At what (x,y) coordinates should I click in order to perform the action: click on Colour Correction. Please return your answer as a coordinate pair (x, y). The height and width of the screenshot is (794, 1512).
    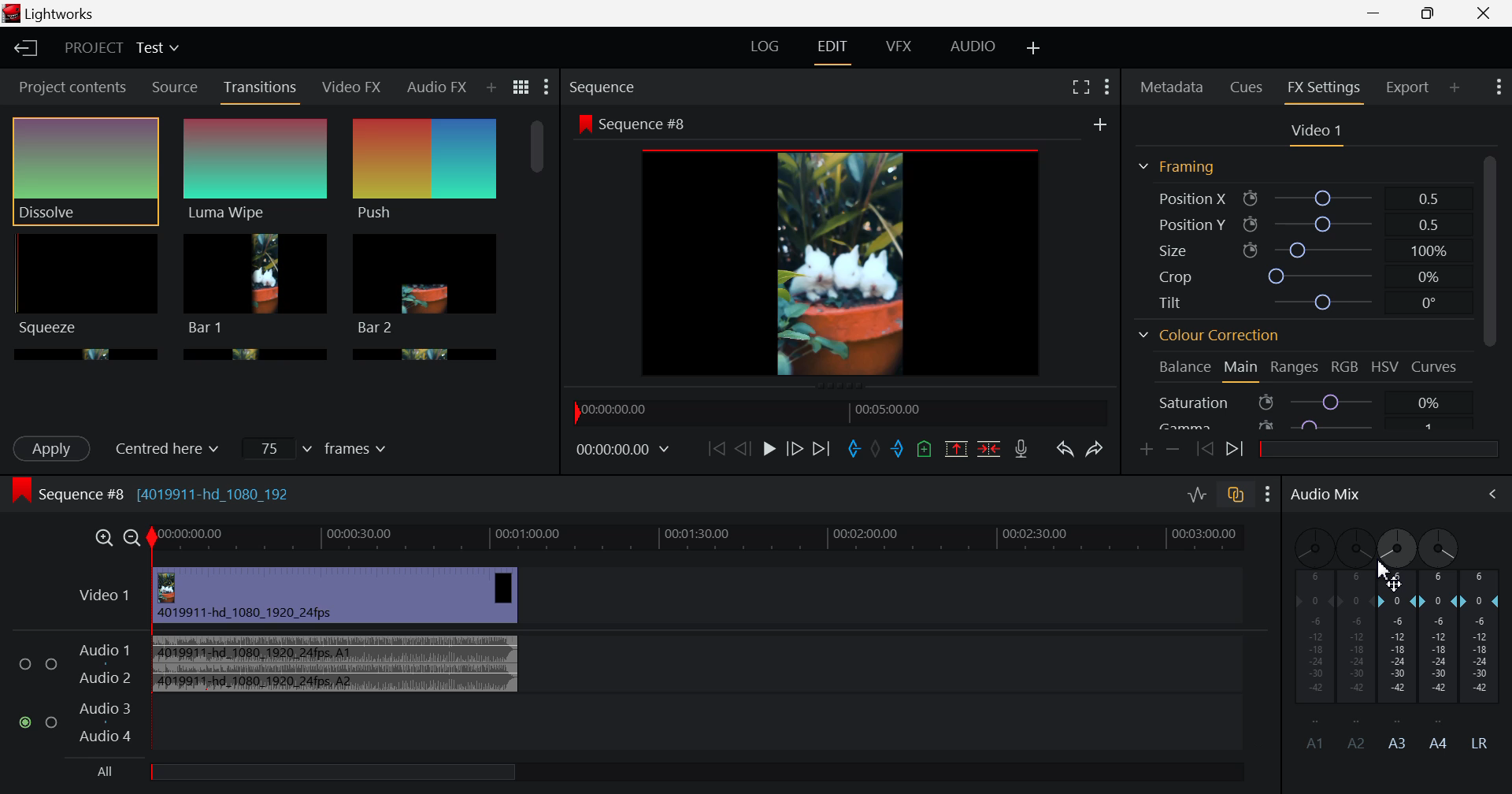
    Looking at the image, I should click on (1214, 334).